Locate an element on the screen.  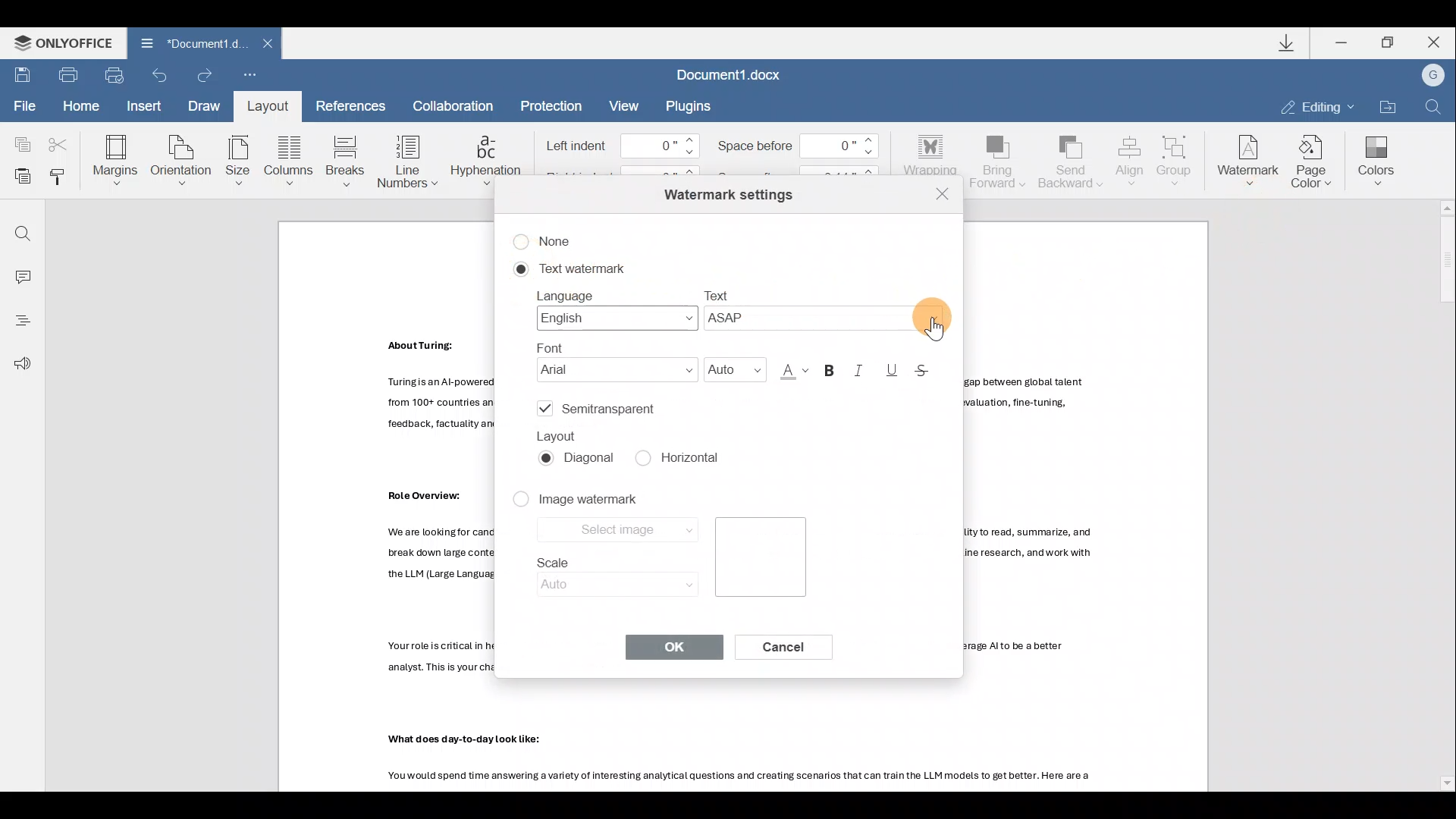
Diagonal is located at coordinates (581, 463).